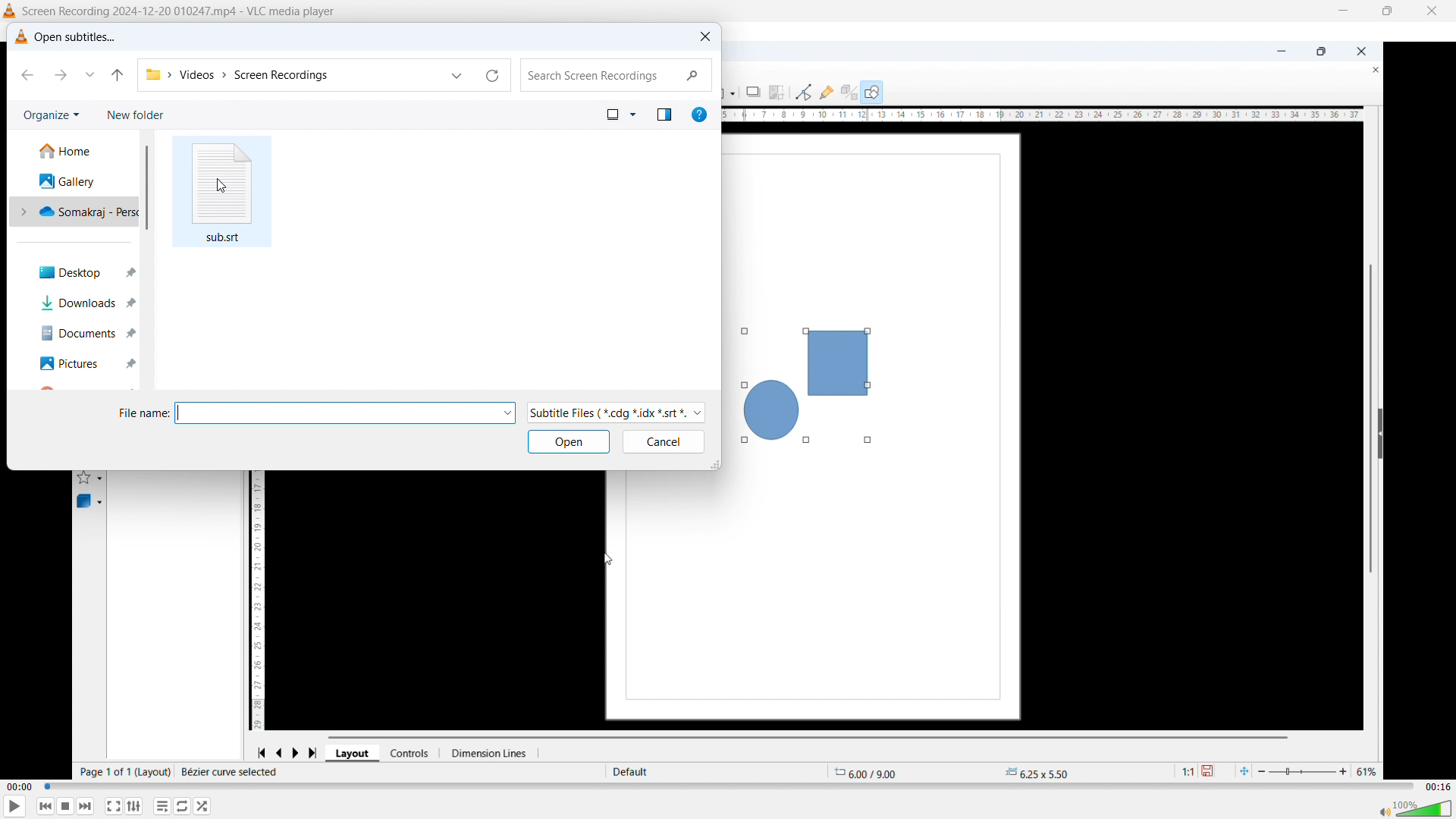  I want to click on  Page 1 of 1 (Layout), so click(124, 772).